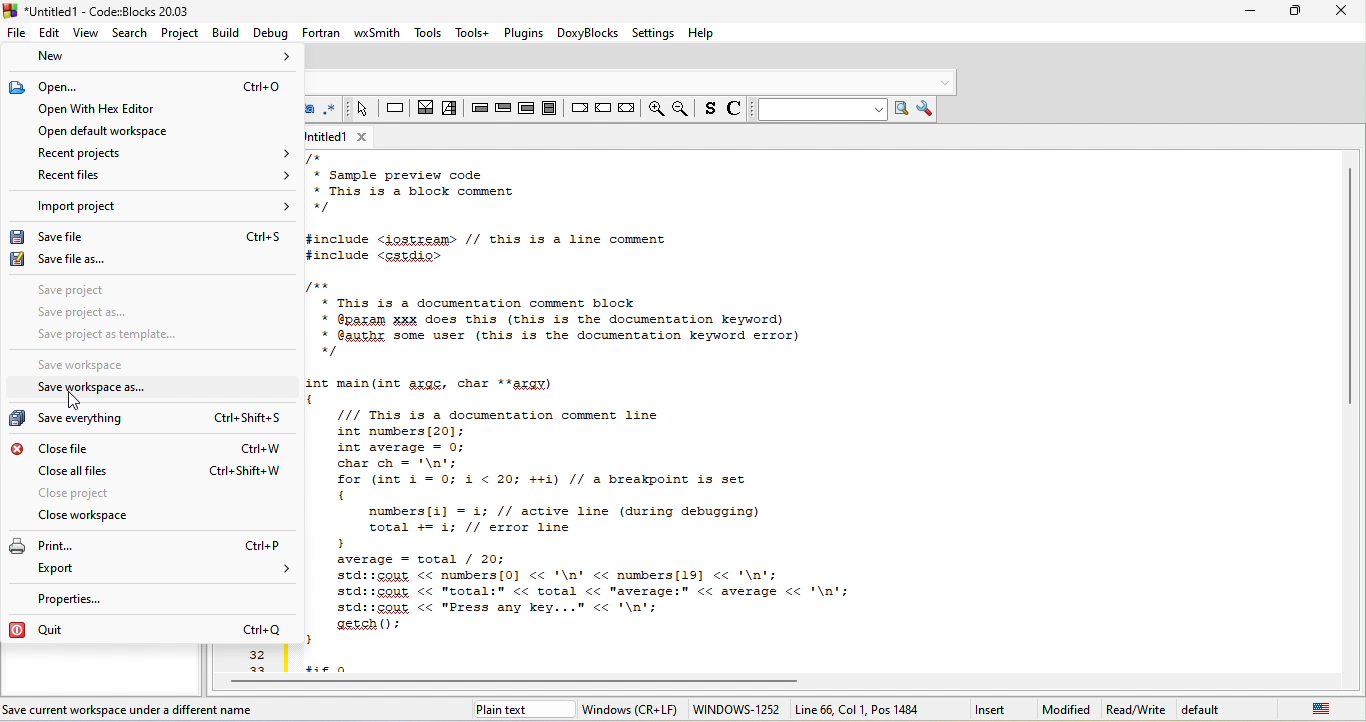  Describe the element at coordinates (360, 136) in the screenshot. I see `close` at that location.